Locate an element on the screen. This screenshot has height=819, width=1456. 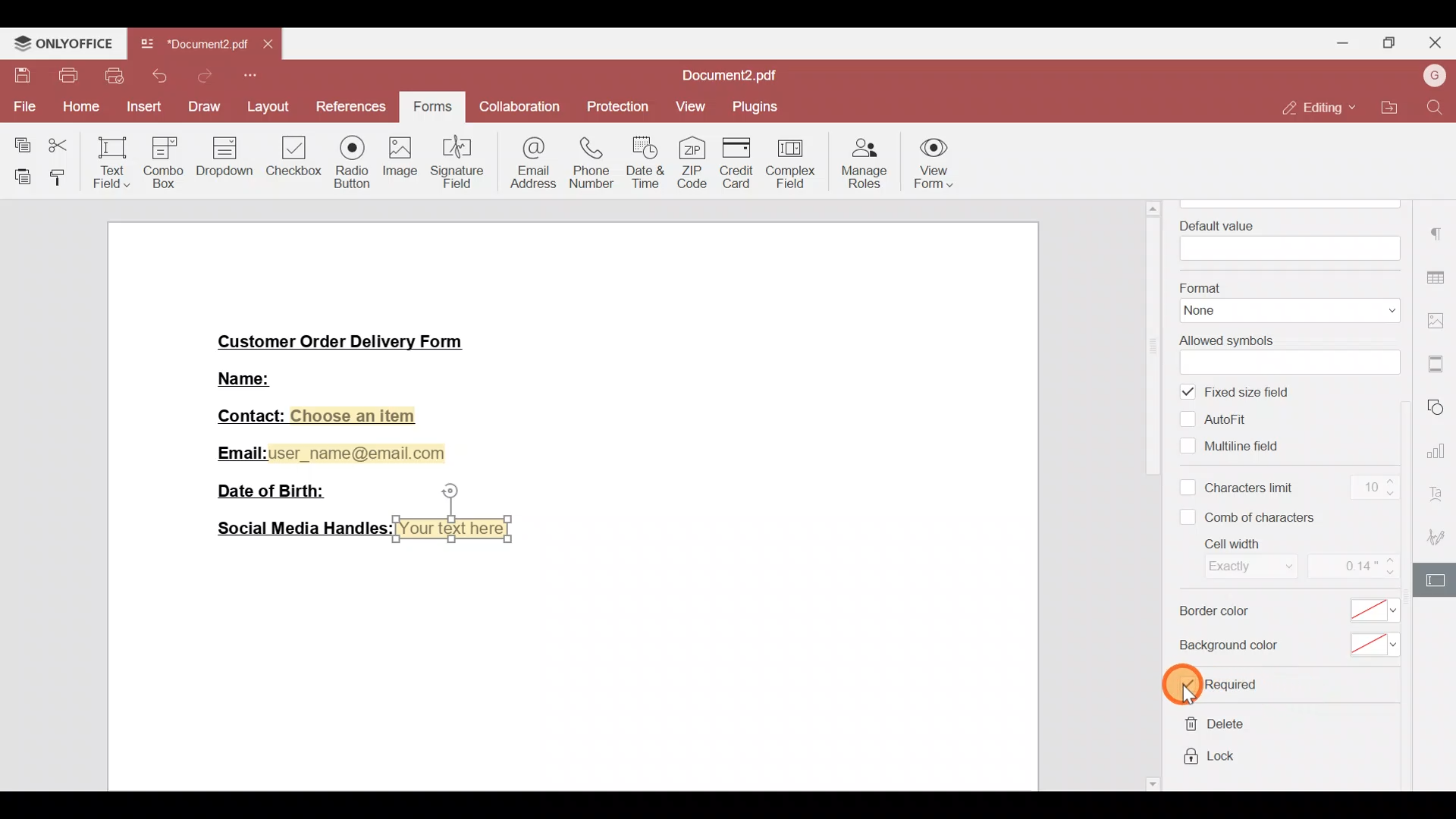
Comb of characters is located at coordinates (1253, 516).